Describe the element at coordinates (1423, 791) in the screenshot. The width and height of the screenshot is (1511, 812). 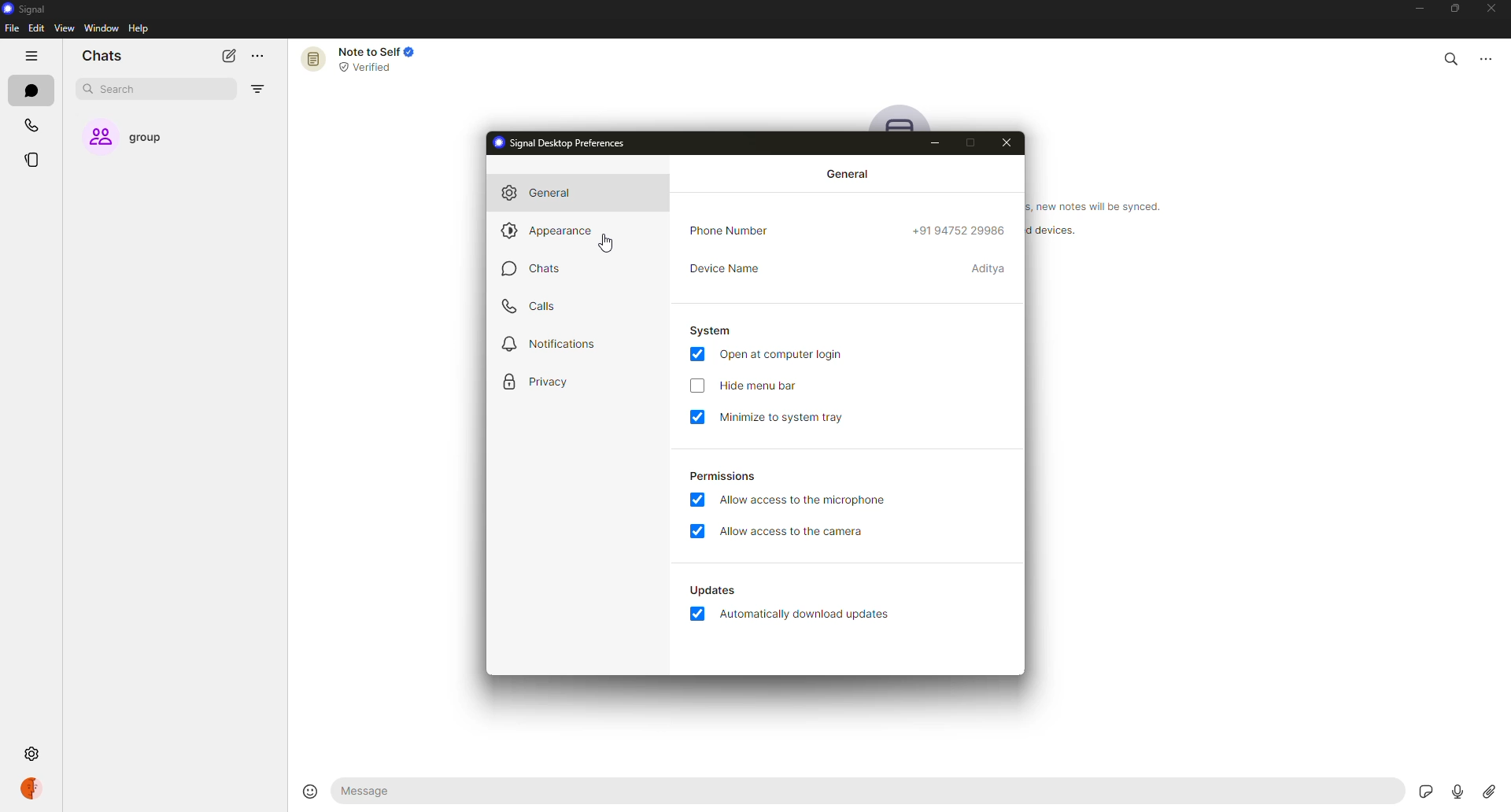
I see `stickers` at that location.